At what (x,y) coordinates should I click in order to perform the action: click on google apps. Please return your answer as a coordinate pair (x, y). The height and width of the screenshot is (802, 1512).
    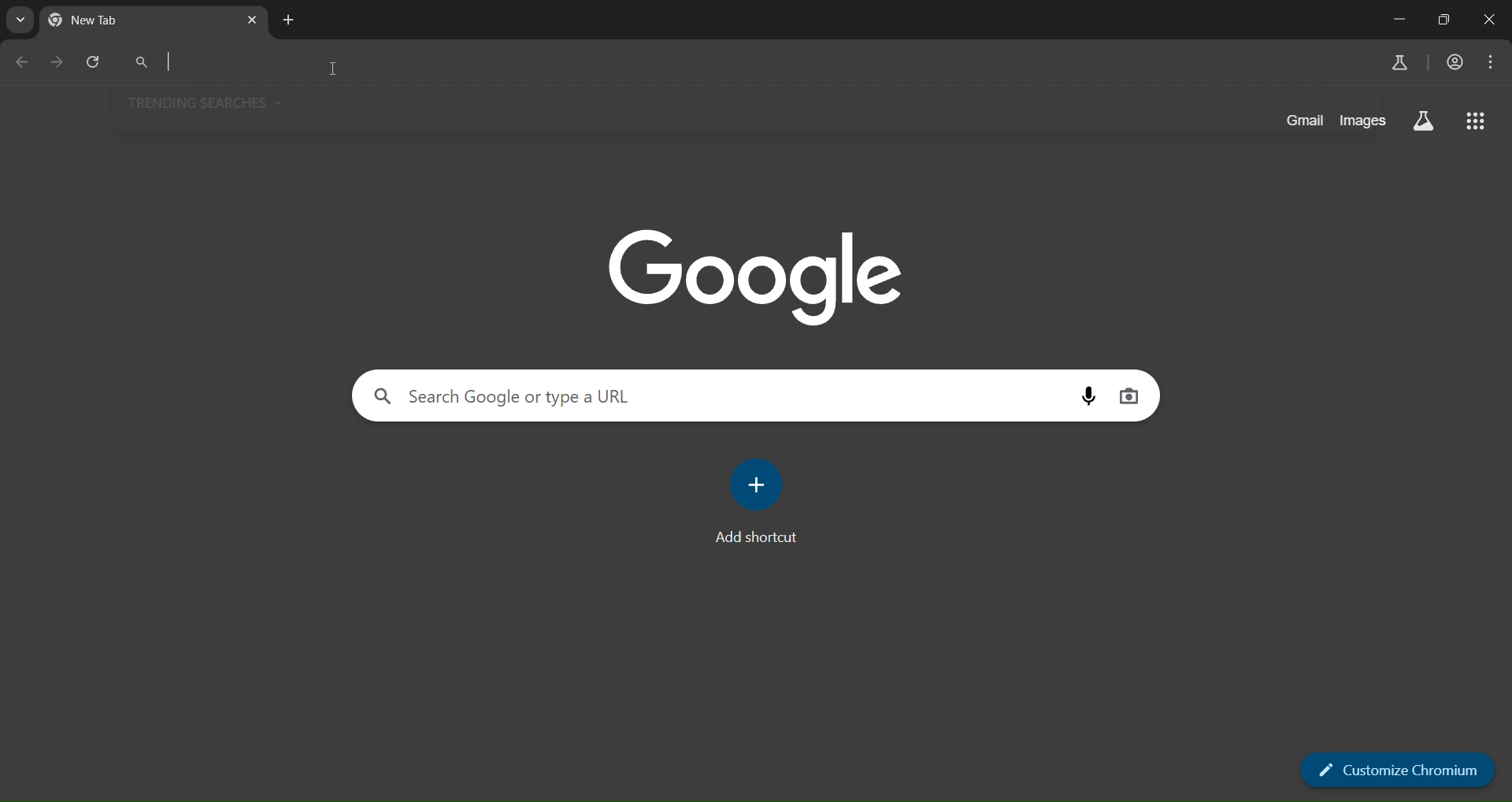
    Looking at the image, I should click on (1476, 119).